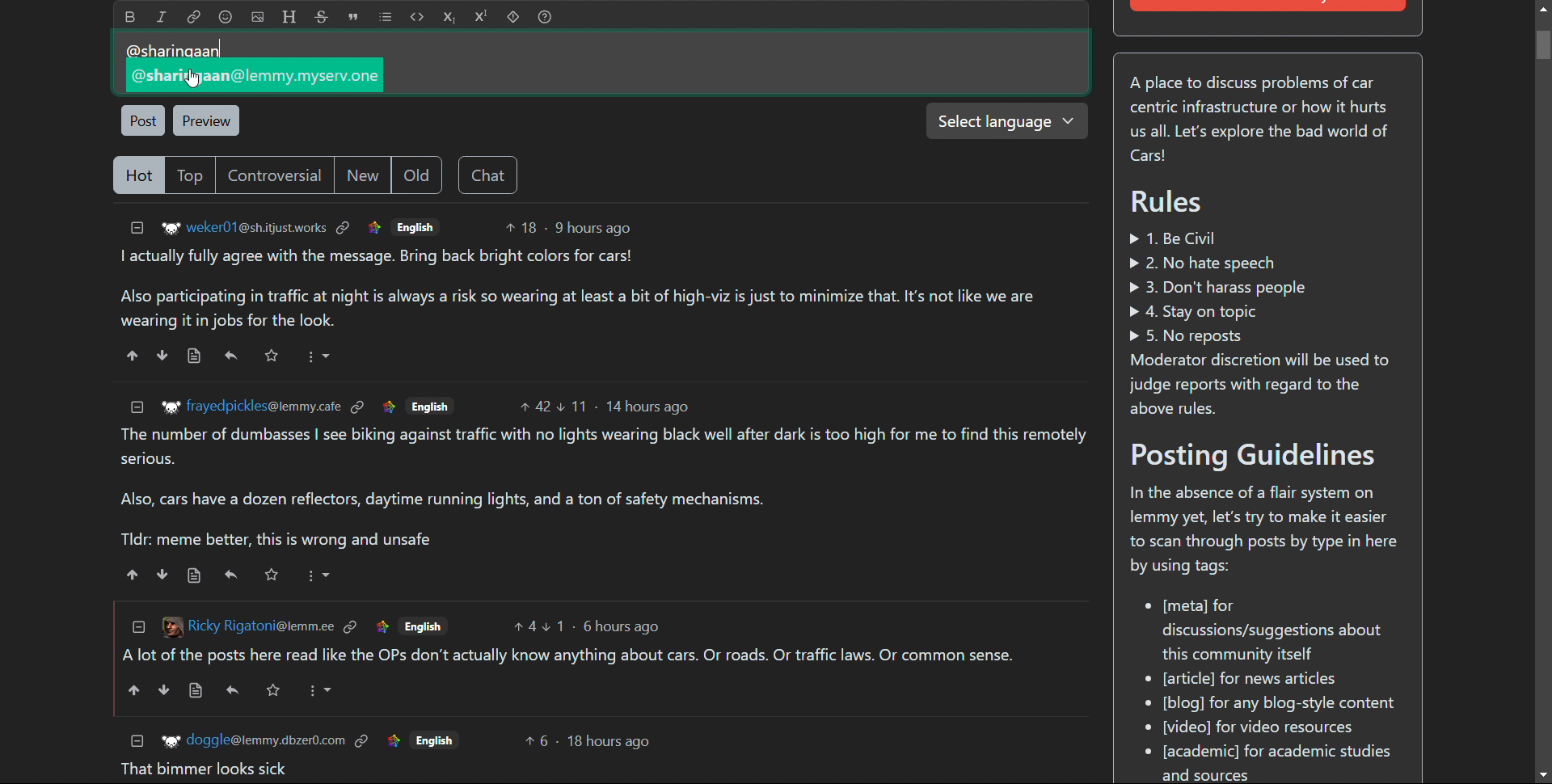  What do you see at coordinates (163, 574) in the screenshot?
I see `downvote` at bounding box center [163, 574].